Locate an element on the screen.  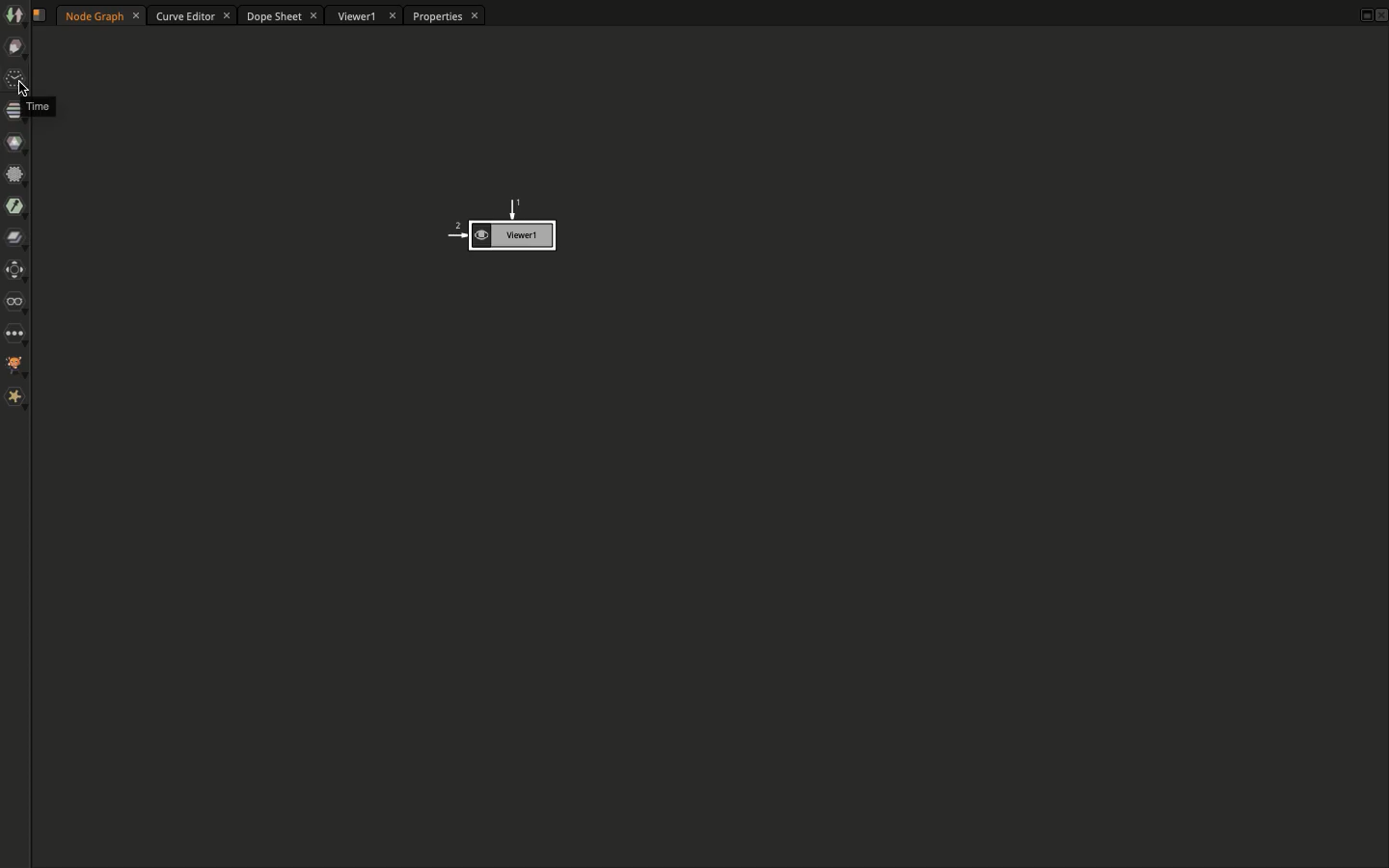
Curve editor is located at coordinates (193, 16).